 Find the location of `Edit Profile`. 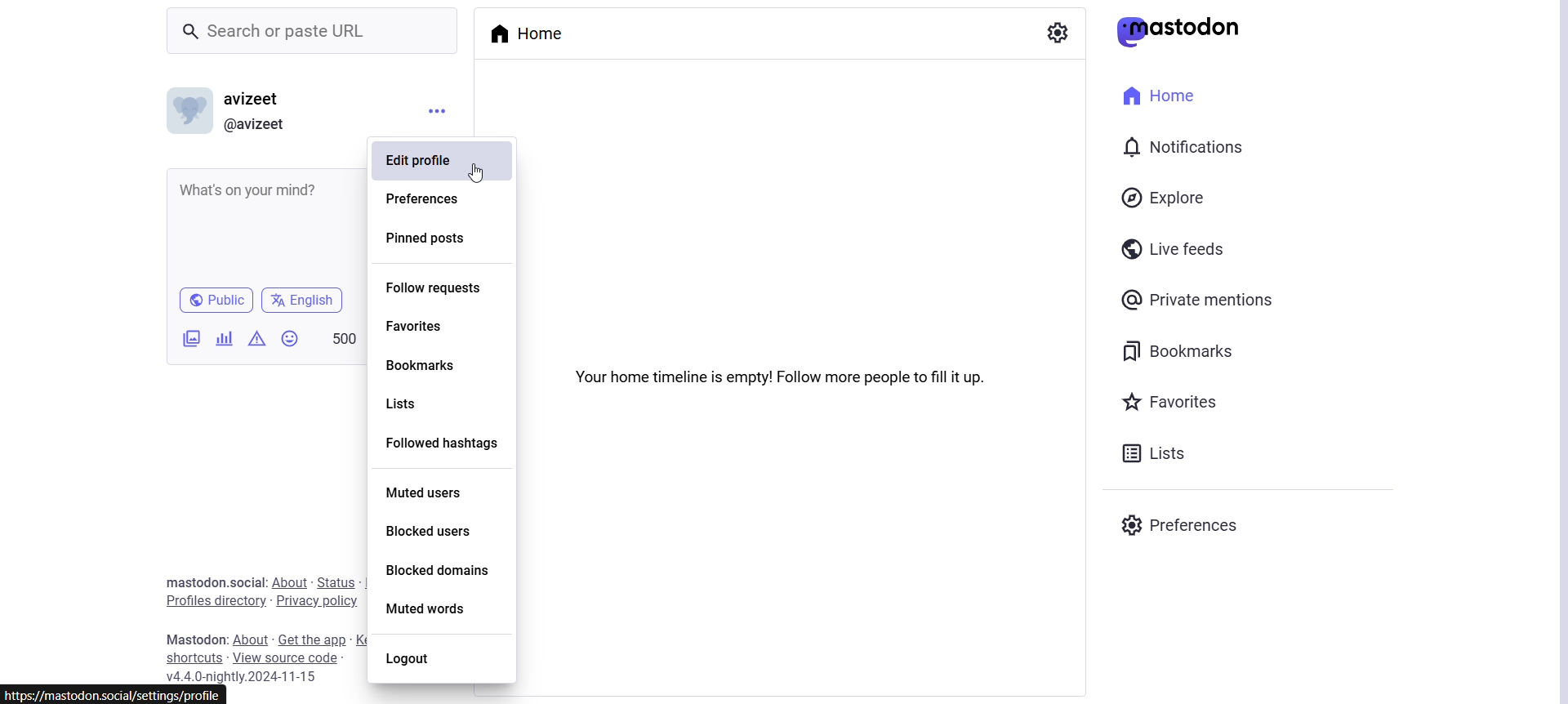

Edit Profile is located at coordinates (445, 163).